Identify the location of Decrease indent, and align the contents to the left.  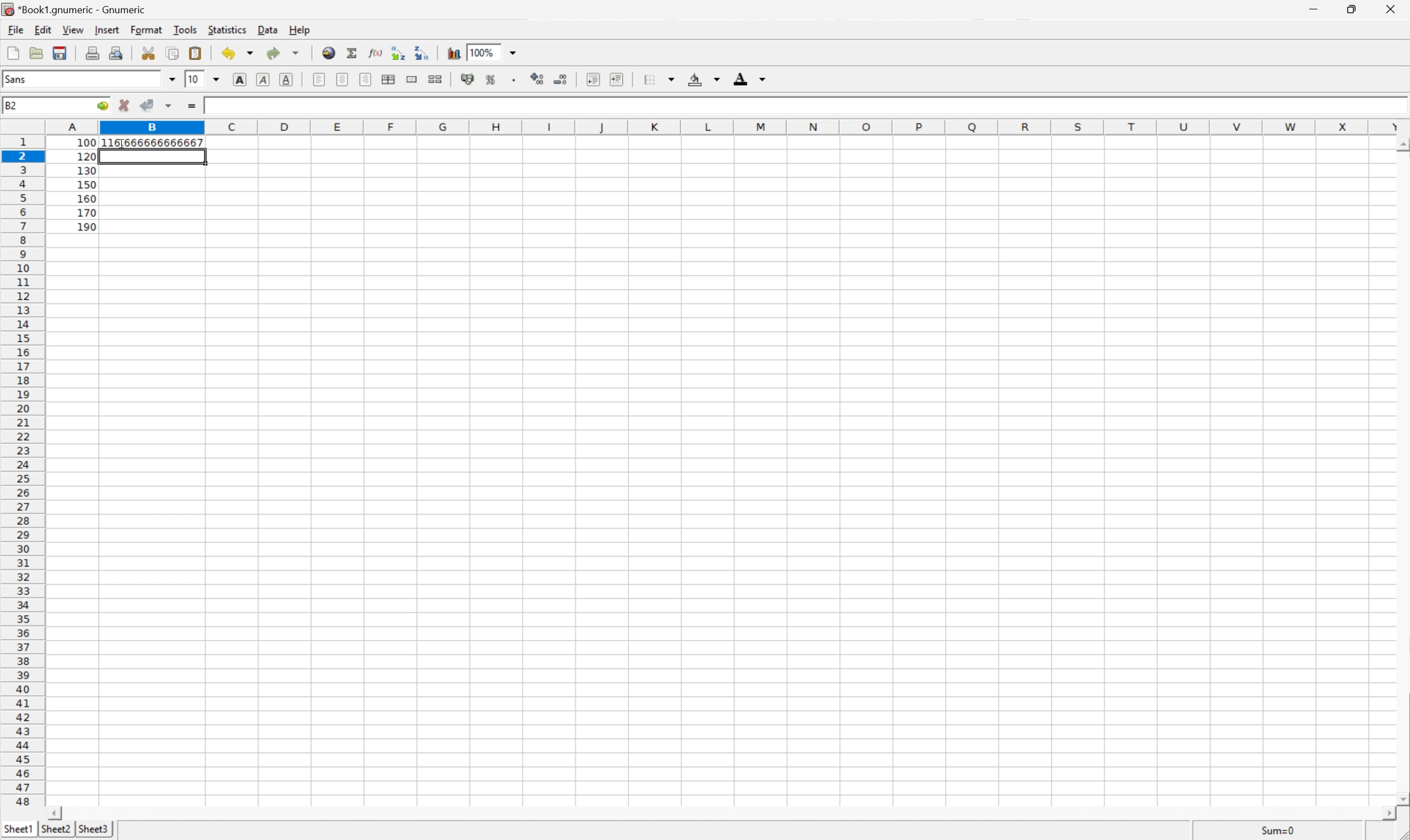
(592, 79).